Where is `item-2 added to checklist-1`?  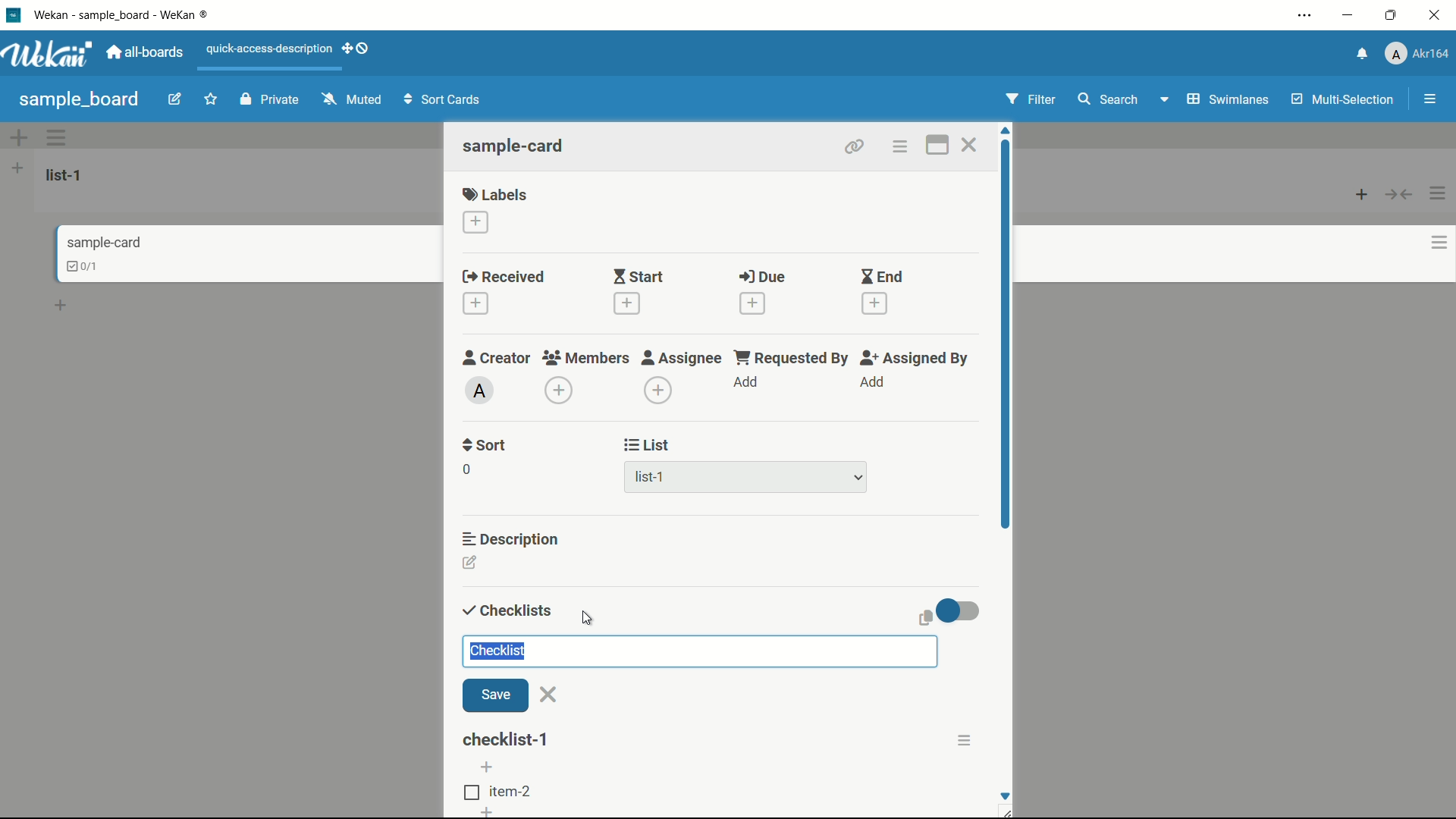
item-2 added to checklist-1 is located at coordinates (500, 792).